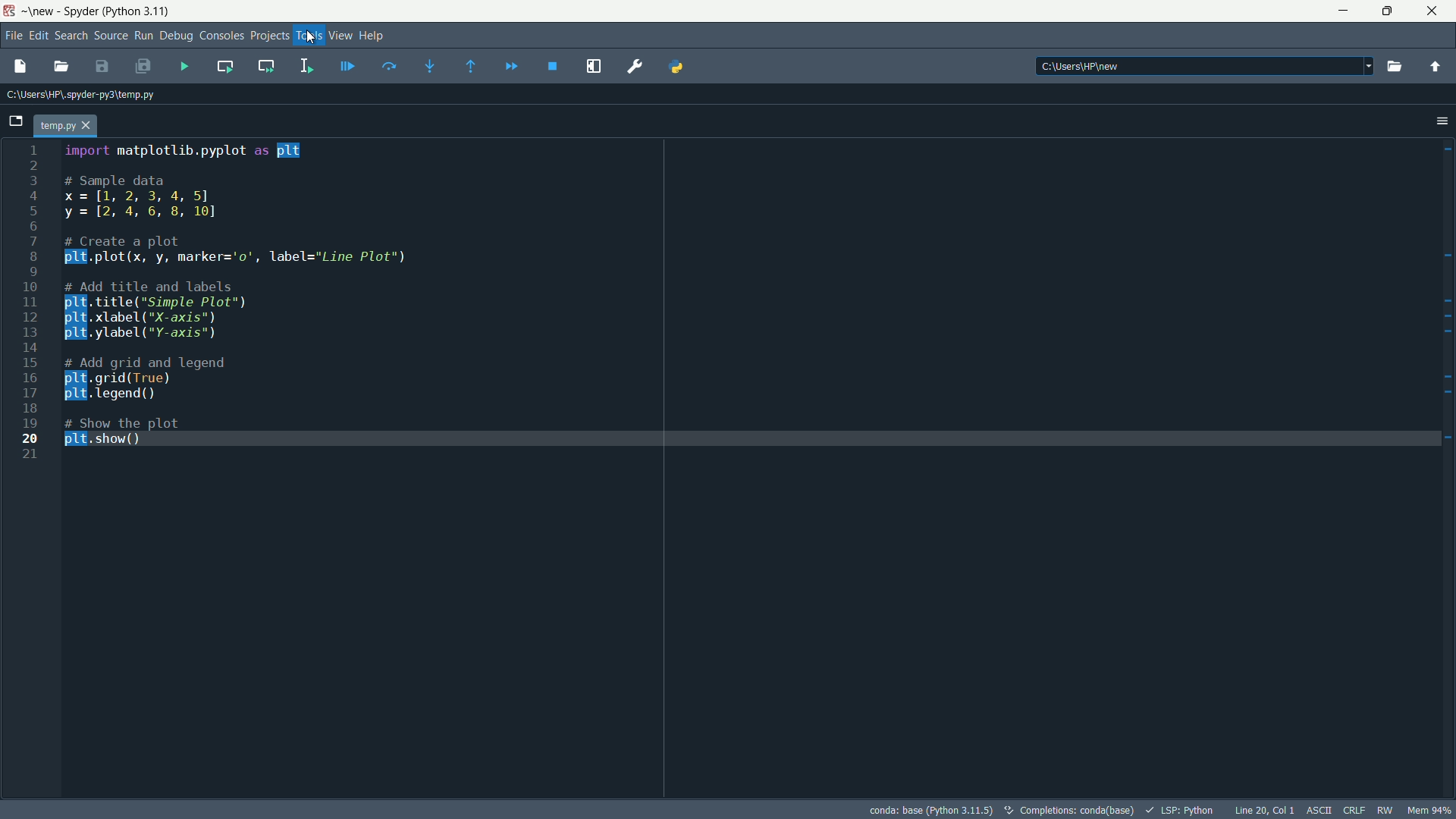 The height and width of the screenshot is (819, 1456). I want to click on debug file, so click(349, 67).